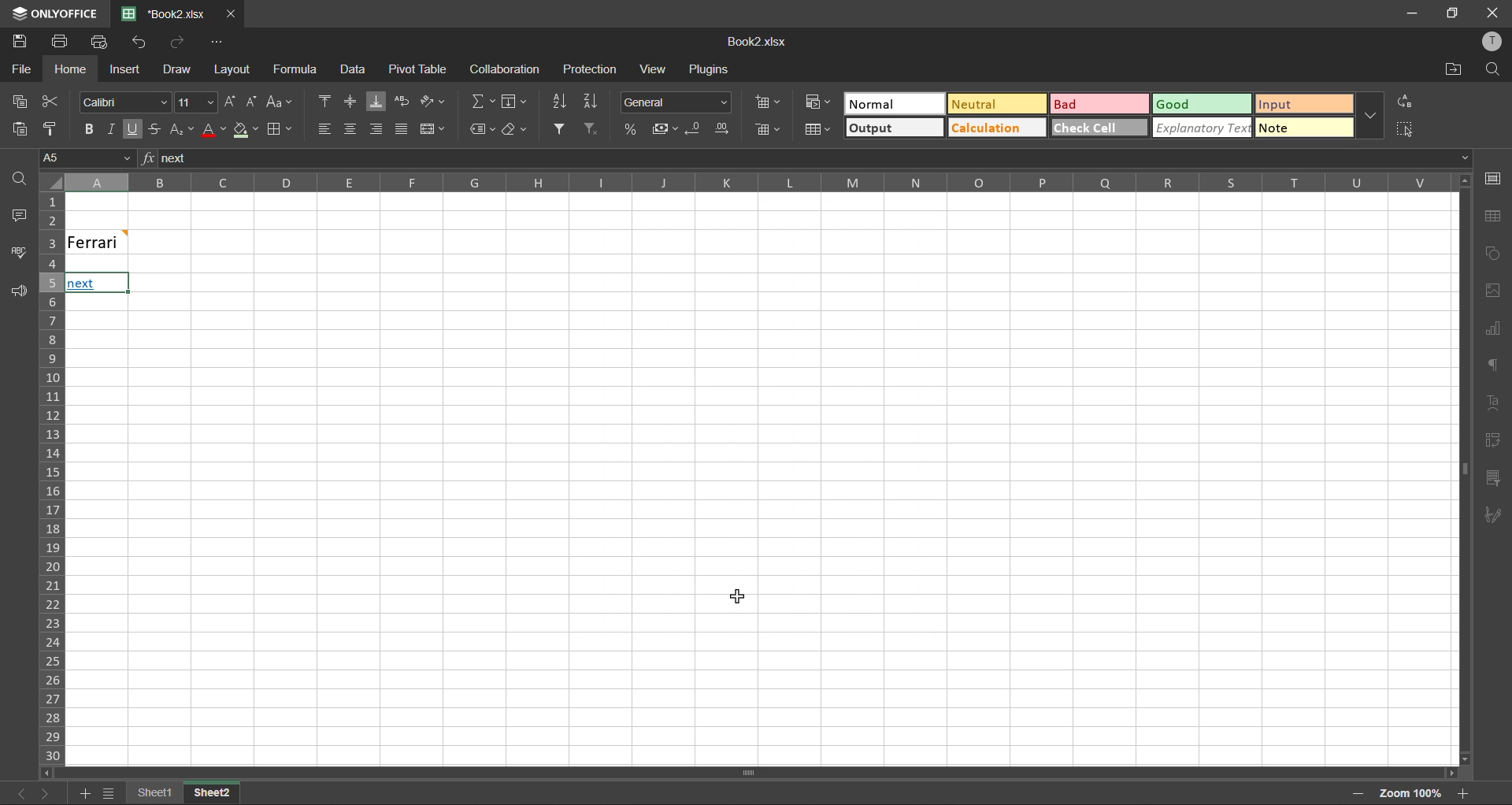 Image resolution: width=1512 pixels, height=805 pixels. Describe the element at coordinates (1200, 106) in the screenshot. I see `good` at that location.